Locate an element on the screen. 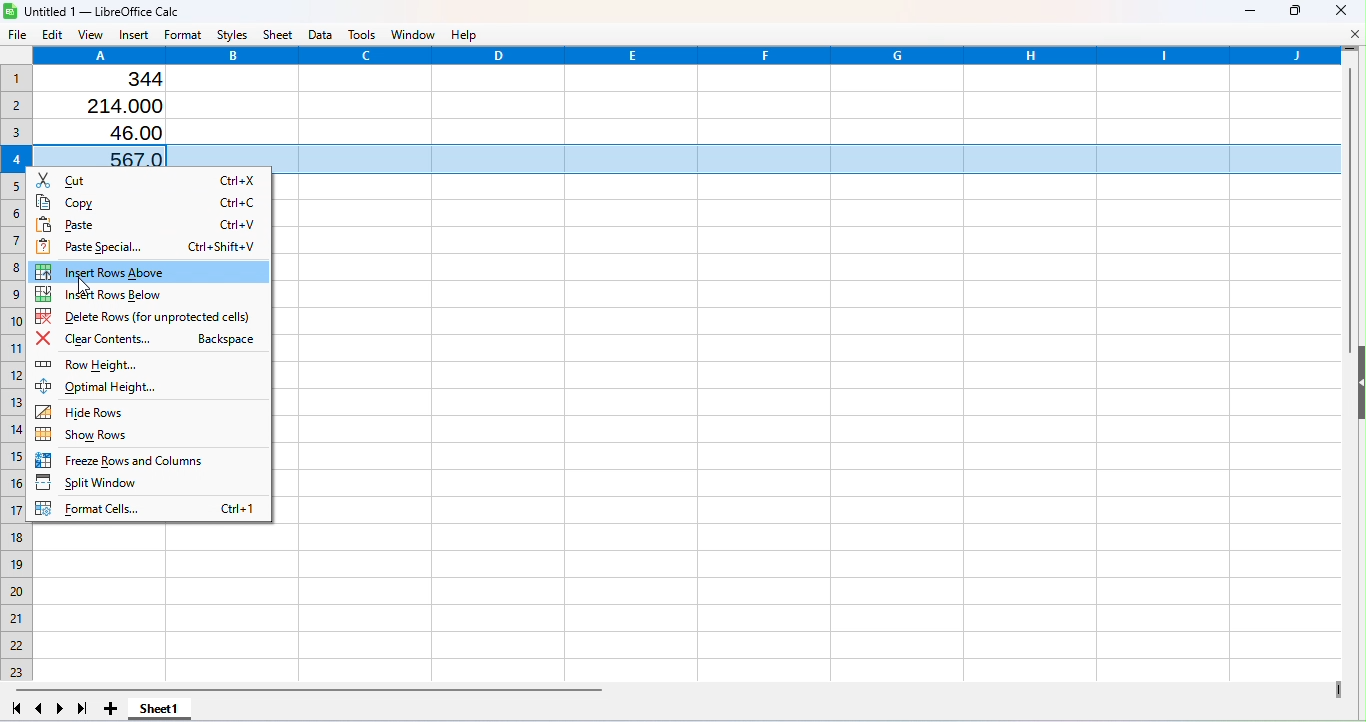 This screenshot has width=1366, height=722. Add a new sheet is located at coordinates (110, 708).